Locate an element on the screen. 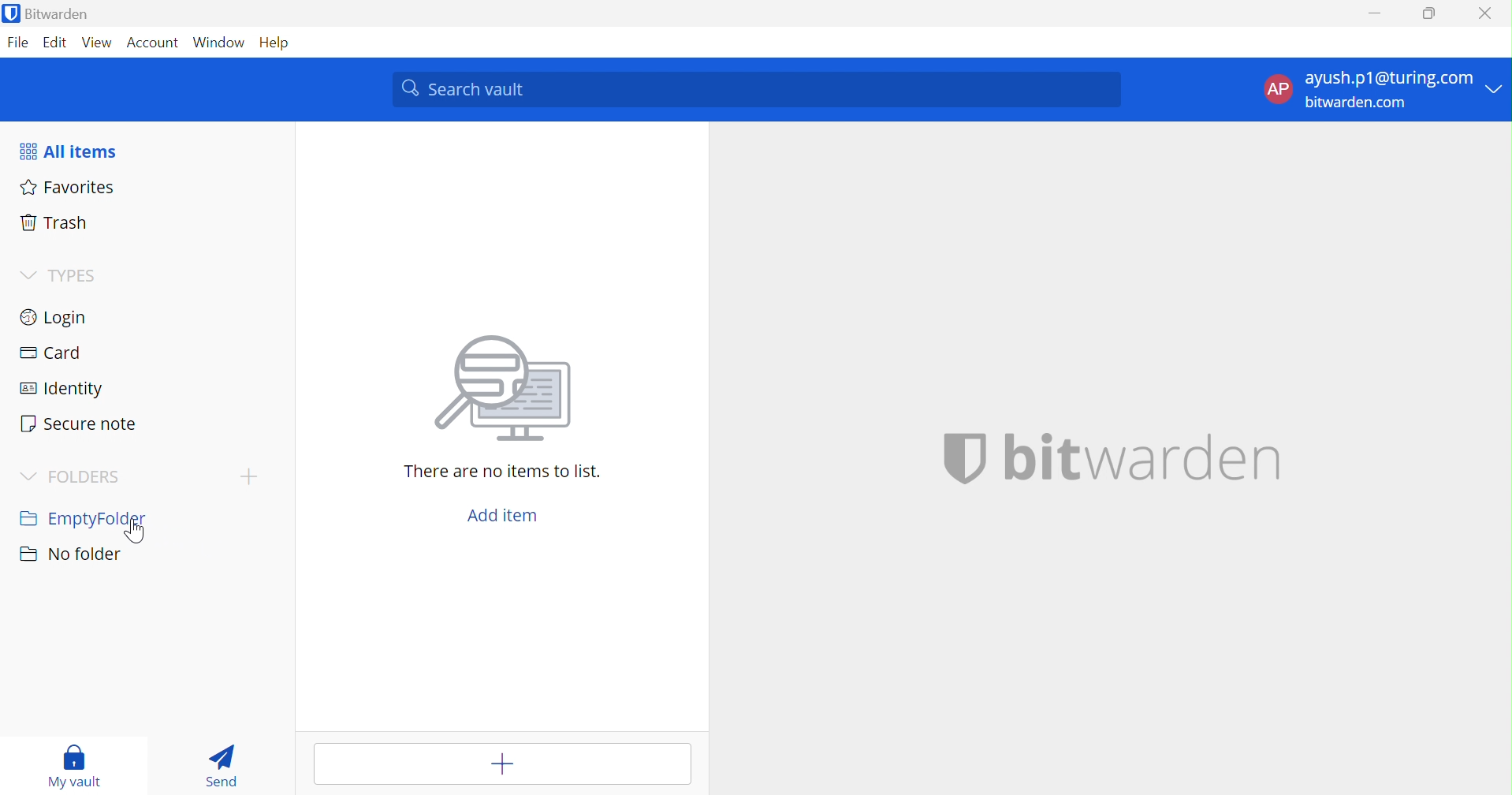  Restore Down is located at coordinates (1430, 11).